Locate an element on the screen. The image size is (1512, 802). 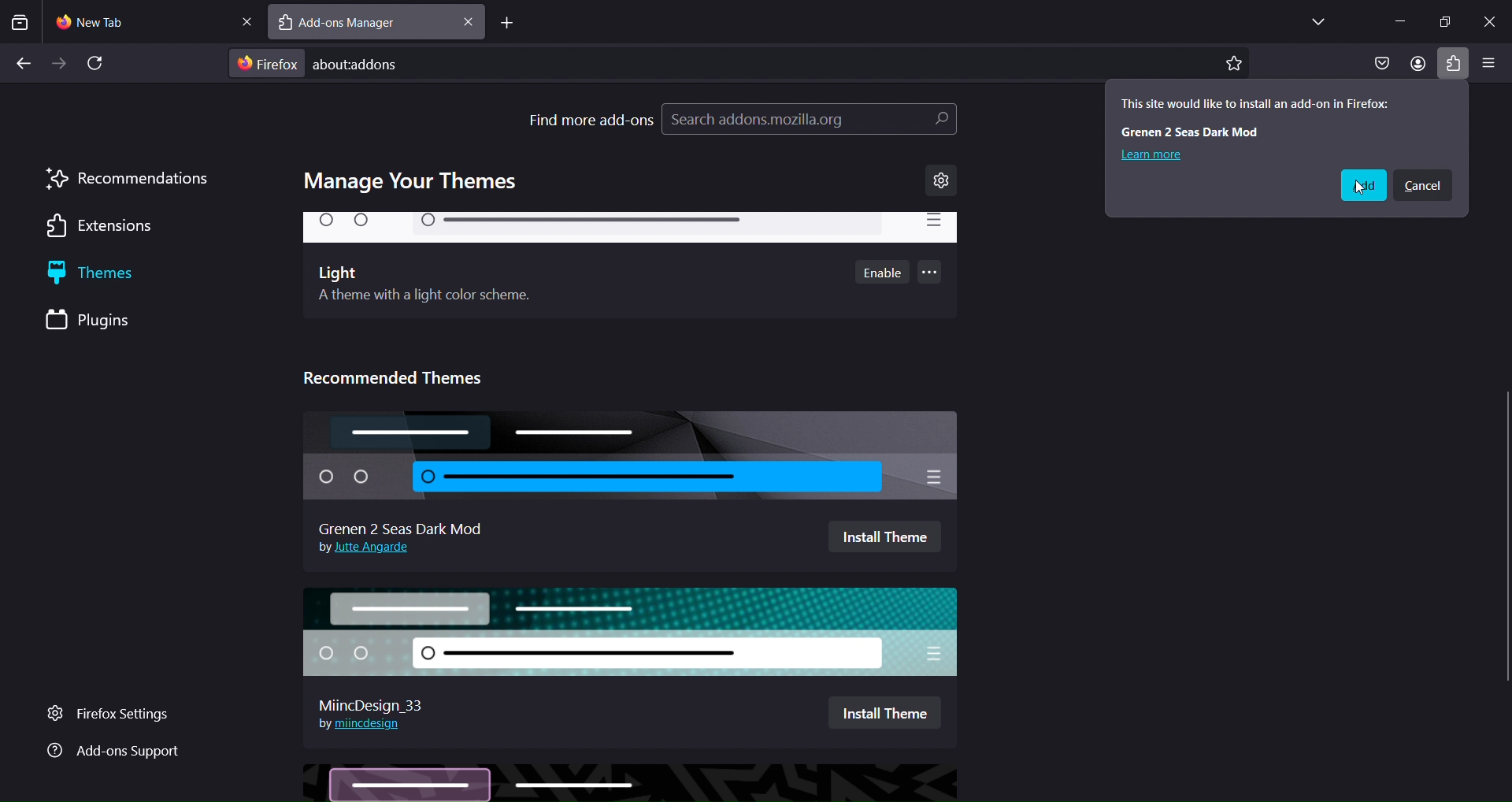
new tab is located at coordinates (509, 24).